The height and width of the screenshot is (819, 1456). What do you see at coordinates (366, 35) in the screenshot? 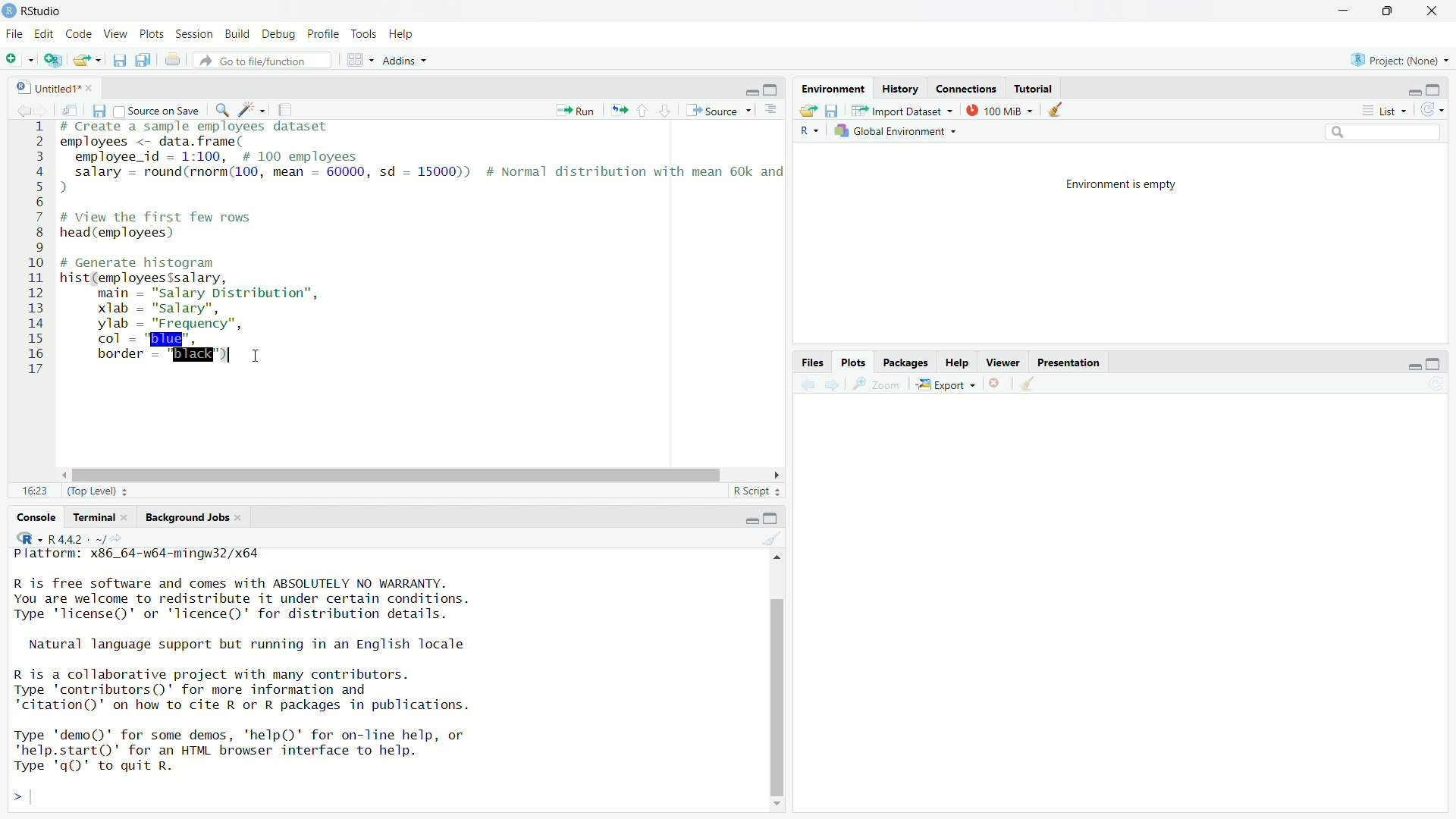
I see `Tools` at bounding box center [366, 35].